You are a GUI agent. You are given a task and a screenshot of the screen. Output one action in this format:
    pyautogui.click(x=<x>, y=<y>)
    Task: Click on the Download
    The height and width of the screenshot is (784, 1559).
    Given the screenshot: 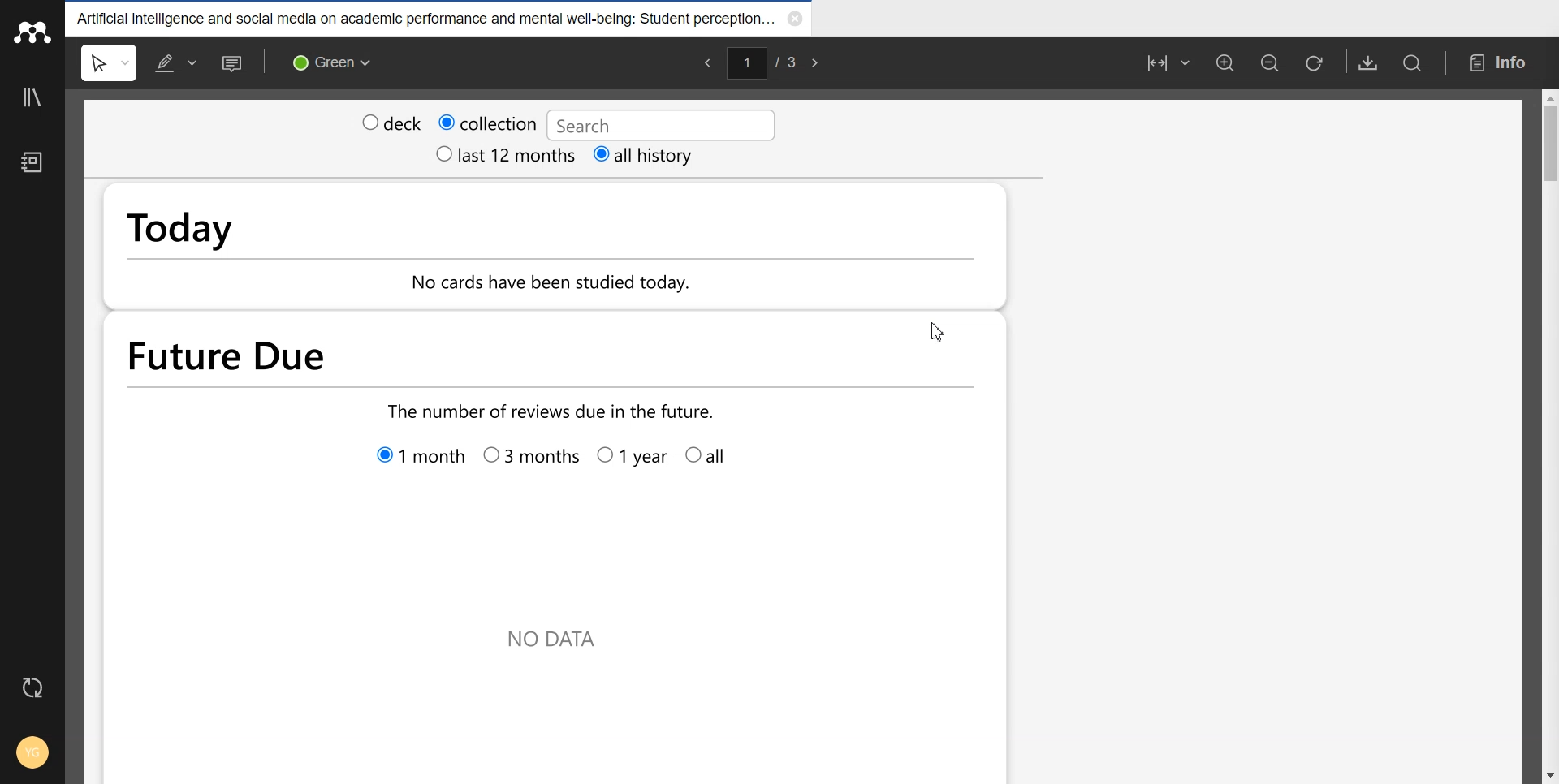 What is the action you would take?
    pyautogui.click(x=1363, y=62)
    